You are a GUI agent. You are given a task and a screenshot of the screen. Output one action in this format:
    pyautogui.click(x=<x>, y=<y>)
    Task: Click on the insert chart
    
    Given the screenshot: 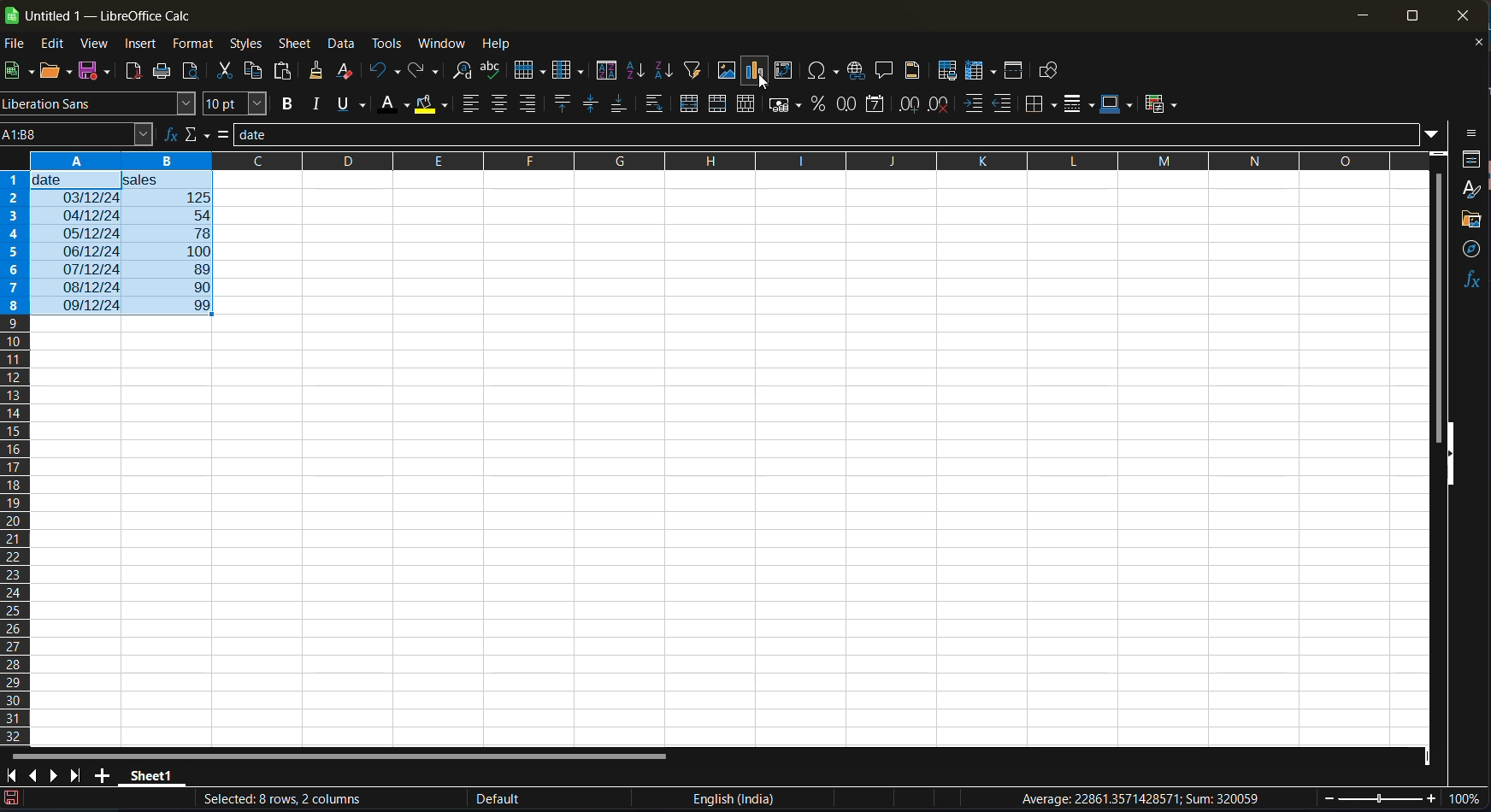 What is the action you would take?
    pyautogui.click(x=756, y=73)
    